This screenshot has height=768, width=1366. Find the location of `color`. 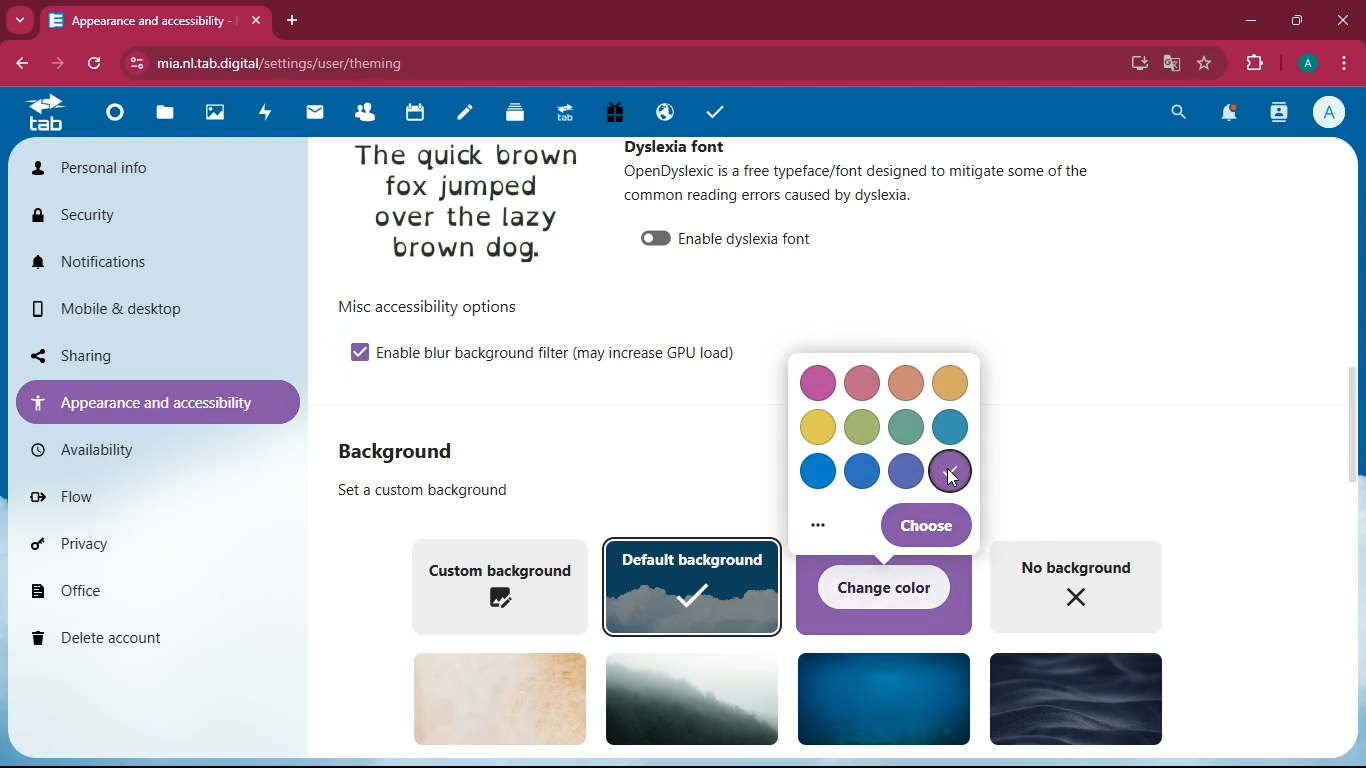

color is located at coordinates (867, 381).